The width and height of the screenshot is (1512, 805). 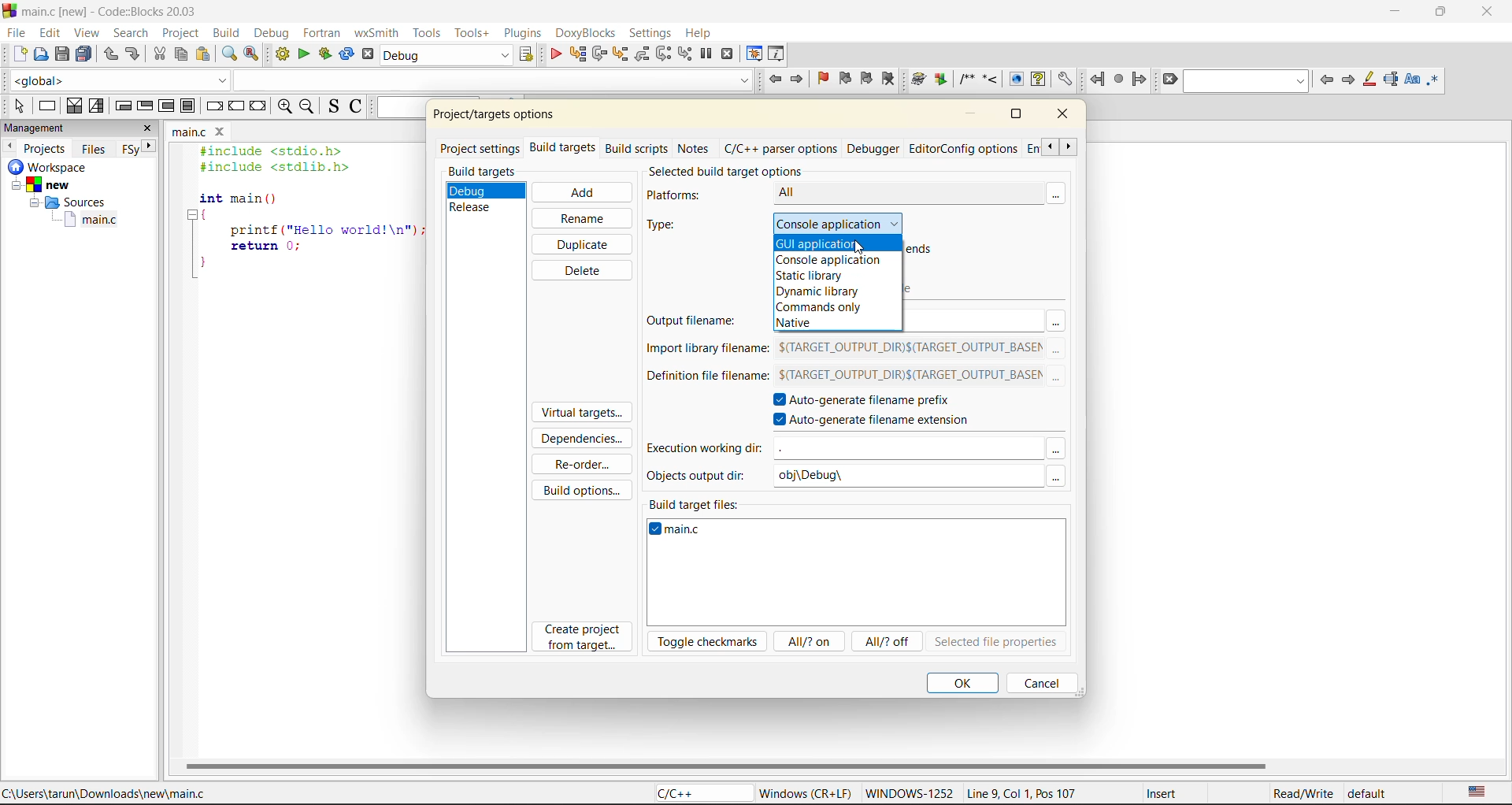 What do you see at coordinates (586, 492) in the screenshot?
I see `build options` at bounding box center [586, 492].